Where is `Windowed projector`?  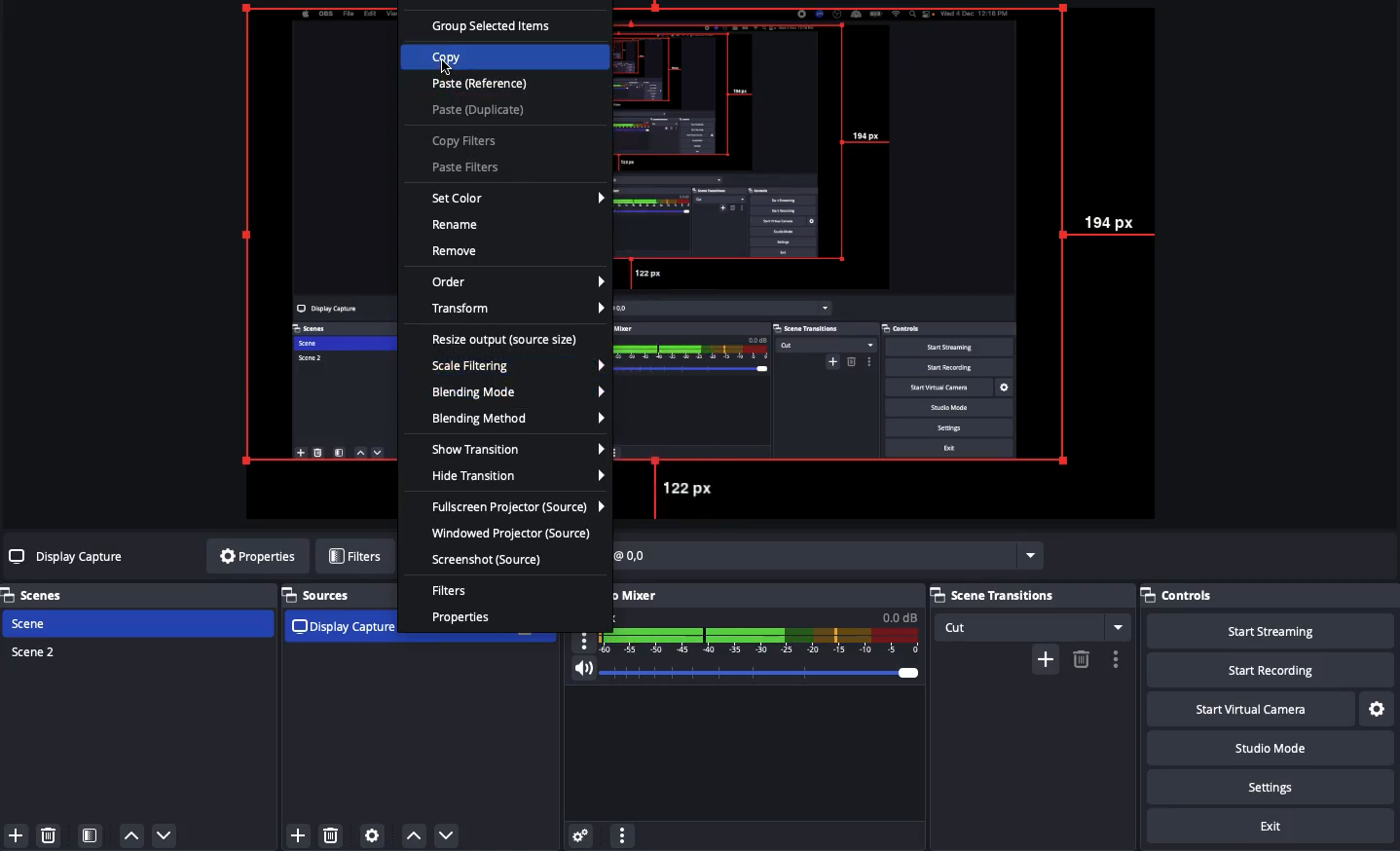
Windowed projector is located at coordinates (519, 532).